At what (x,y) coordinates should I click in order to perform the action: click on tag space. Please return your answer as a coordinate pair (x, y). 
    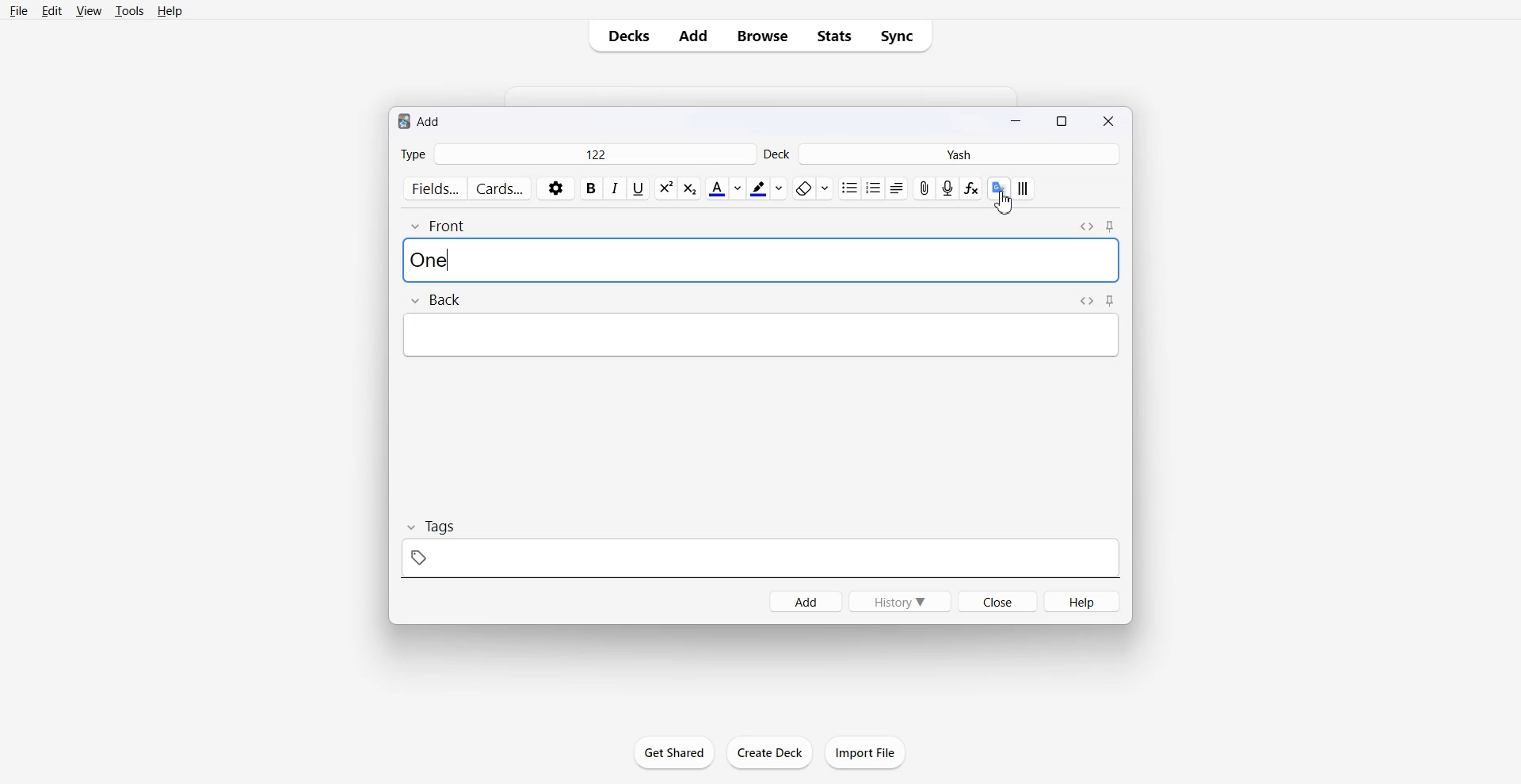
    Looking at the image, I should click on (760, 558).